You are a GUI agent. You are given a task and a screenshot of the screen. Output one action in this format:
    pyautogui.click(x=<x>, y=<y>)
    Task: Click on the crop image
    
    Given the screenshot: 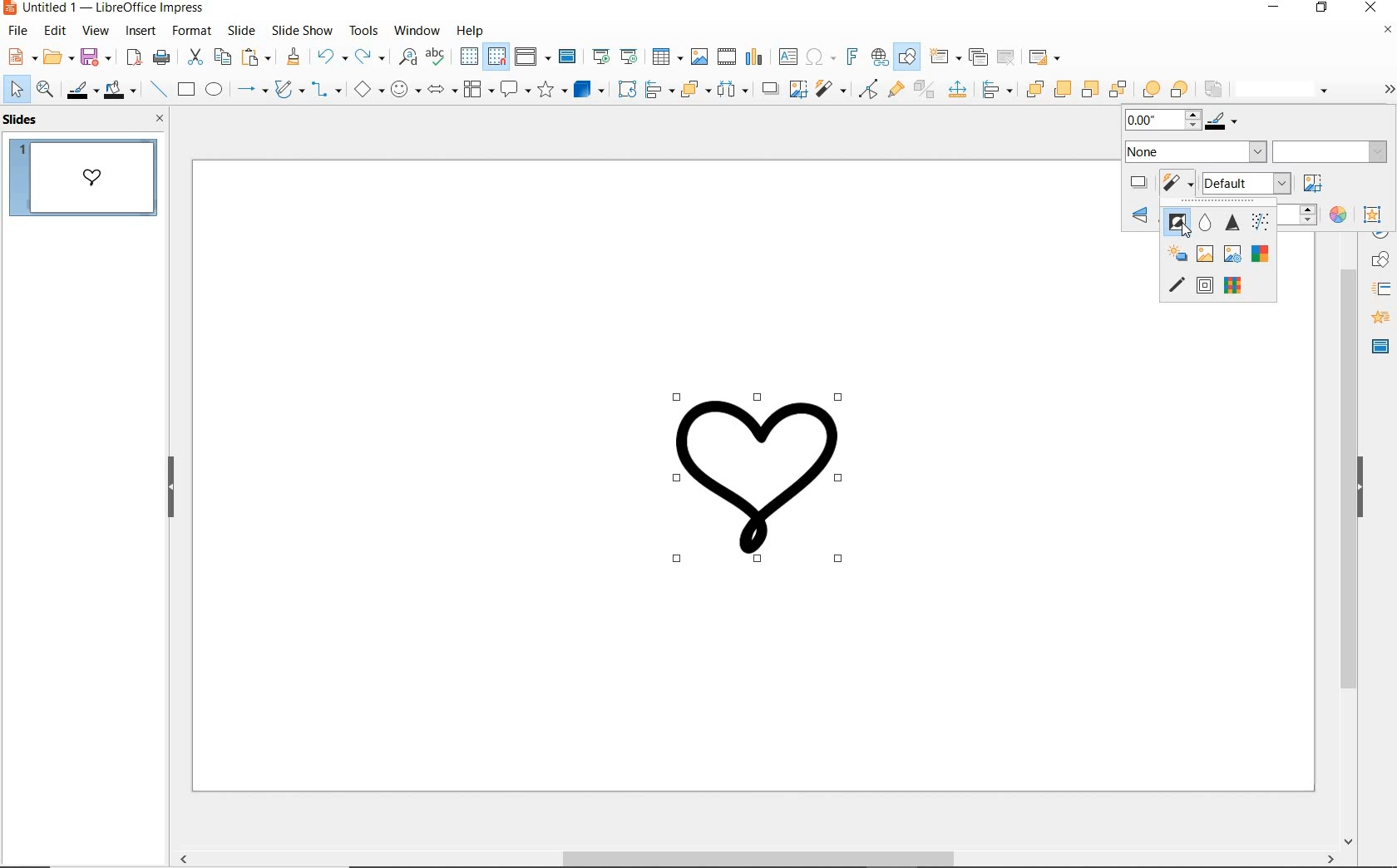 What is the action you would take?
    pyautogui.click(x=1314, y=182)
    